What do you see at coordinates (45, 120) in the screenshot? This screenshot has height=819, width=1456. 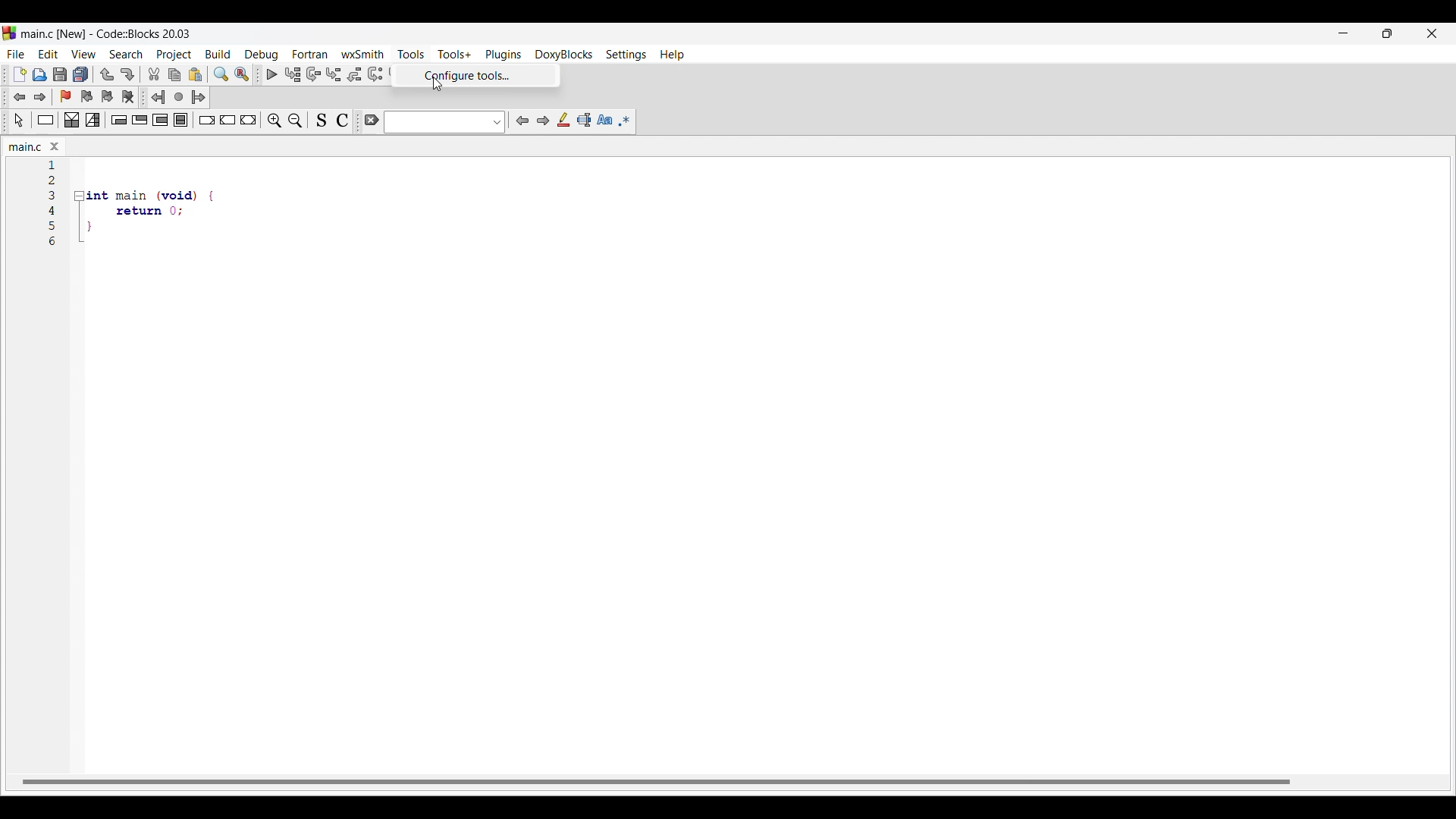 I see `Instruction` at bounding box center [45, 120].